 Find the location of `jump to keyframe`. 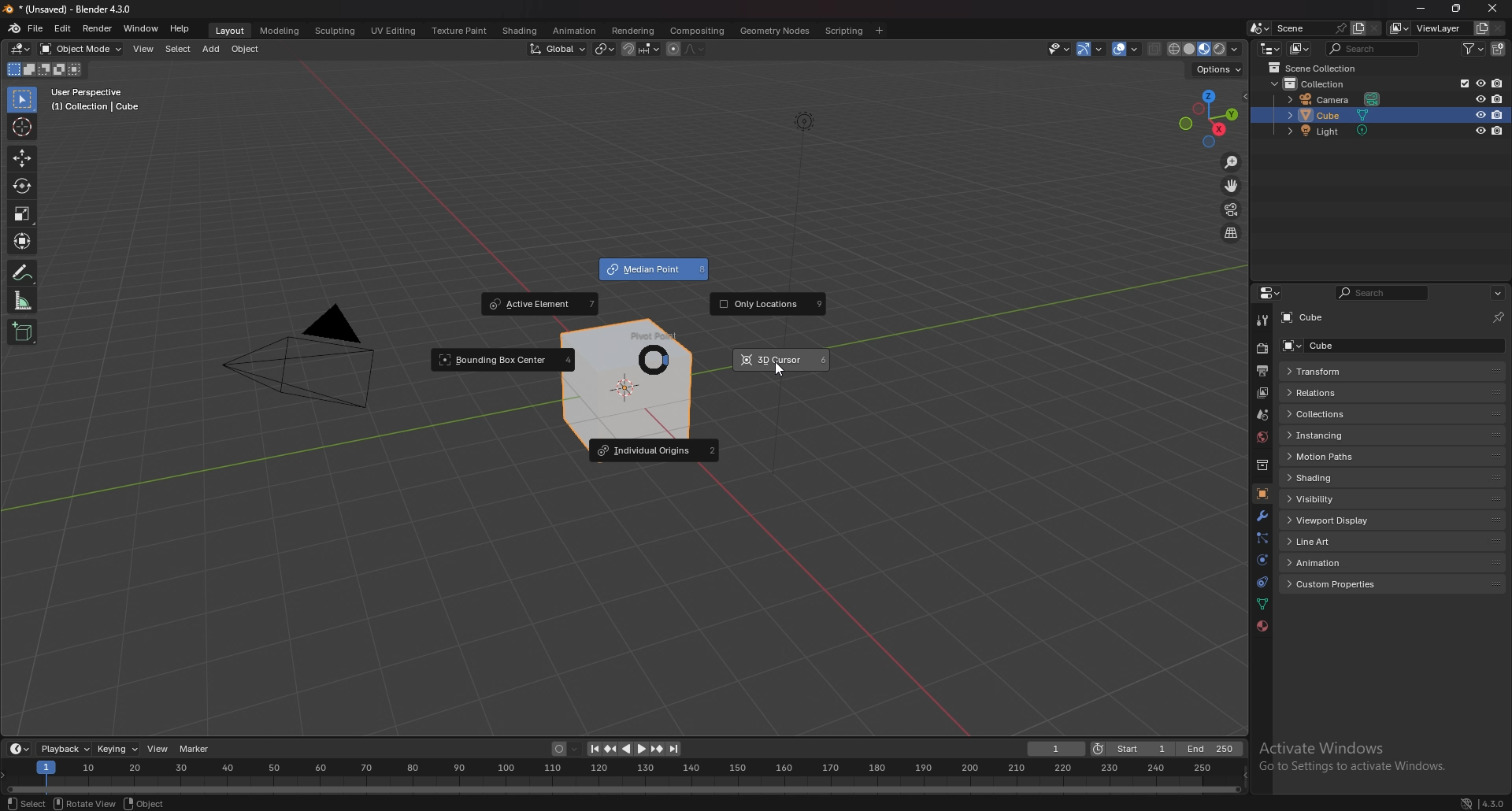

jump to keyframe is located at coordinates (656, 748).